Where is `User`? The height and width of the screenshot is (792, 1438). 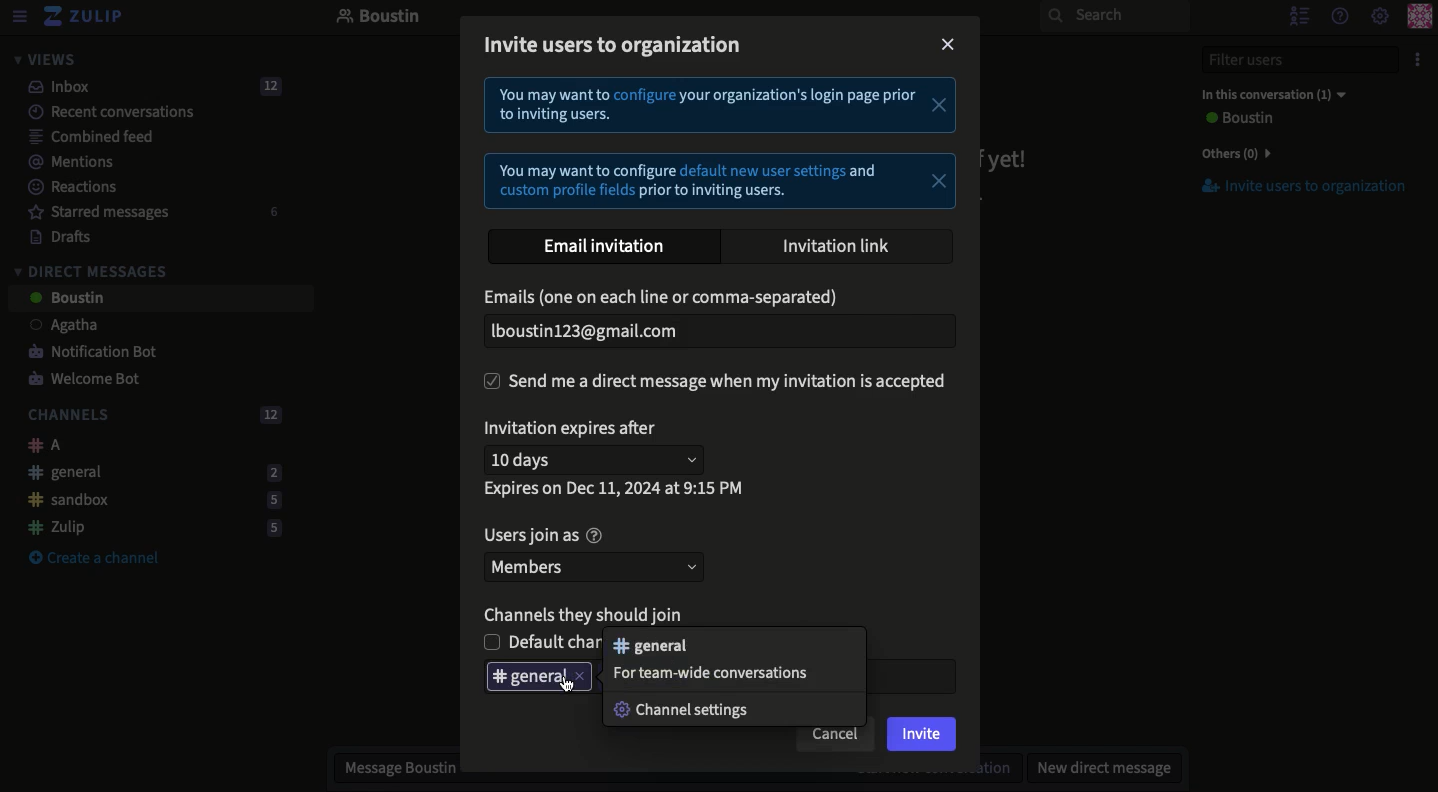 User is located at coordinates (1236, 119).